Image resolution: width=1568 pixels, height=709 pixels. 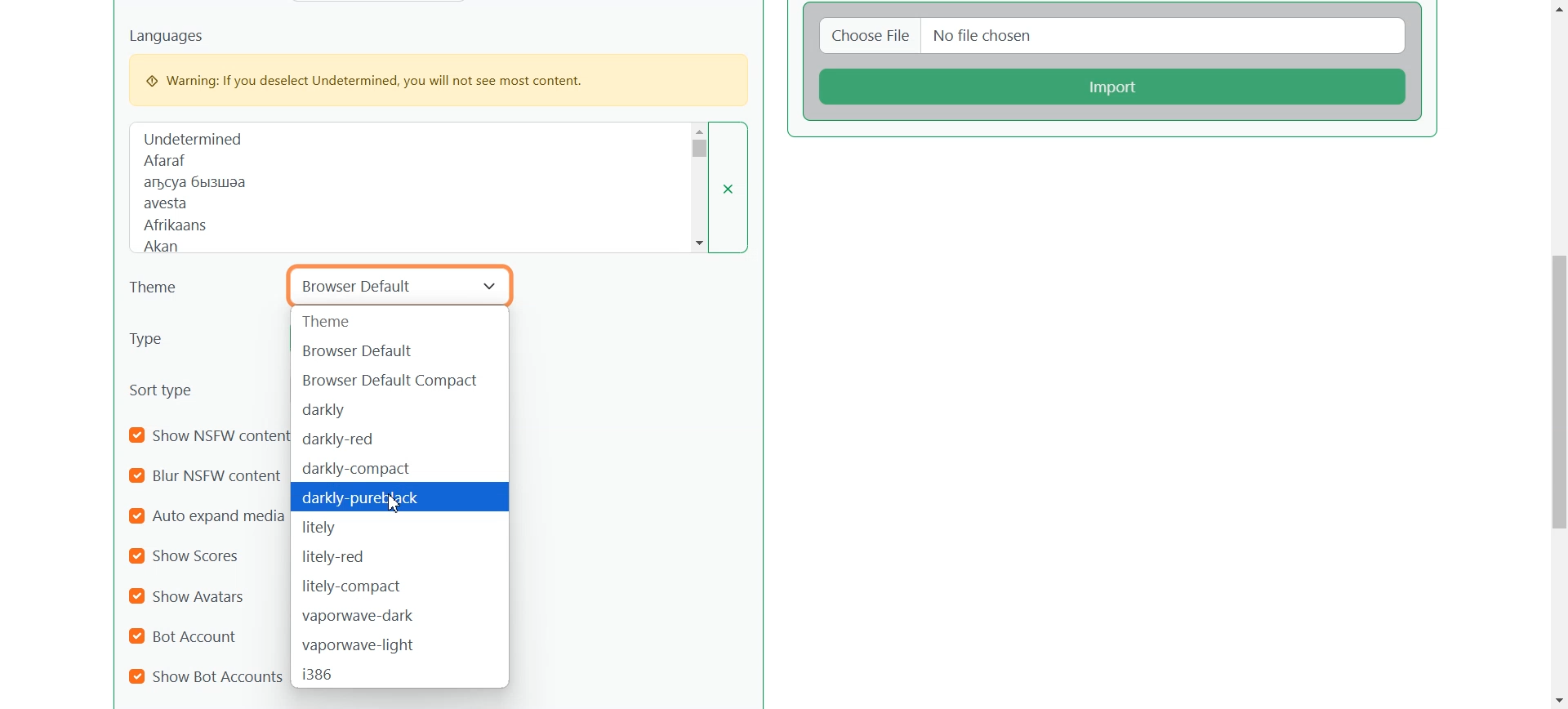 I want to click on Sort Type, so click(x=169, y=389).